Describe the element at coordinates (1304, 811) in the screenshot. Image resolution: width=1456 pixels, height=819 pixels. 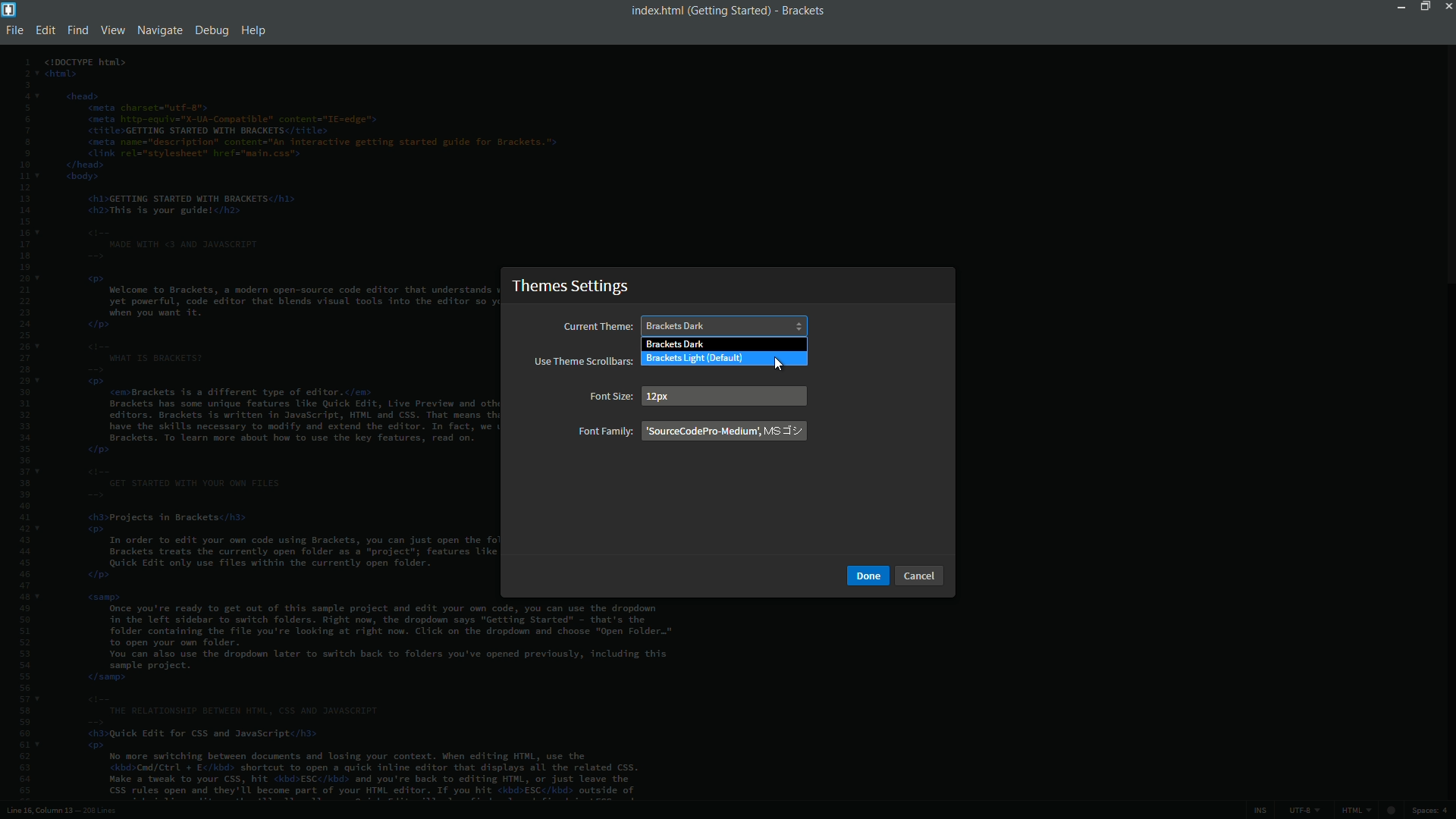
I see `file encoding` at that location.